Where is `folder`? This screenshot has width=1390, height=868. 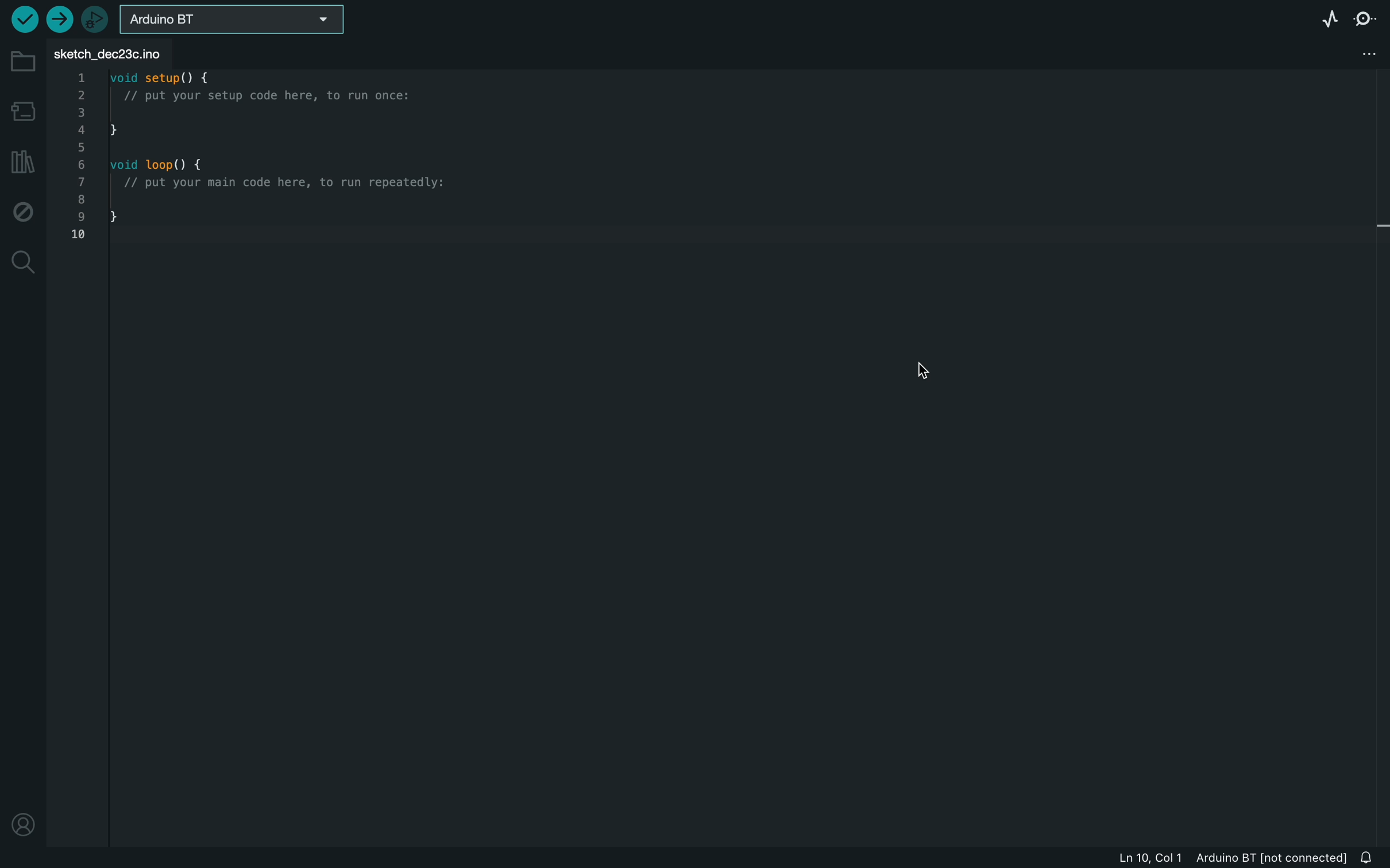
folder is located at coordinates (20, 56).